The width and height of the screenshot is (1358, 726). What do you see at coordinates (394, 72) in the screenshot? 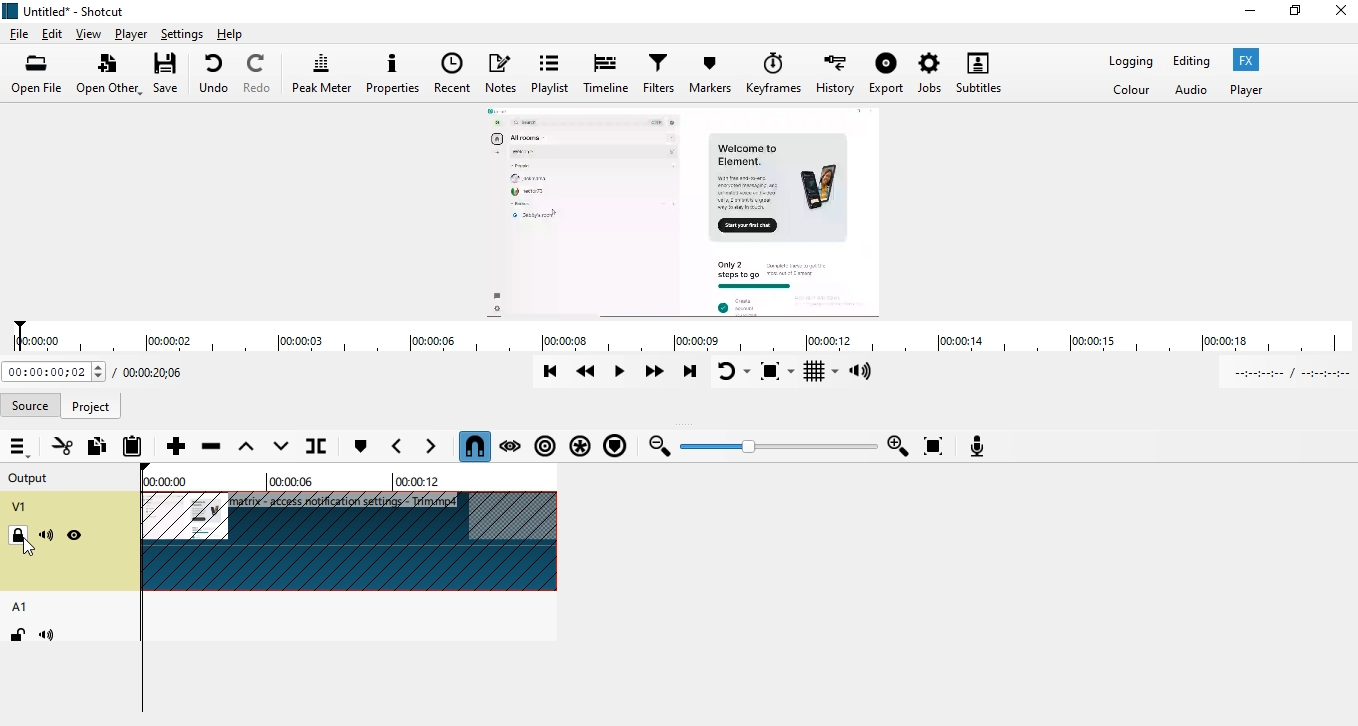
I see `properties` at bounding box center [394, 72].